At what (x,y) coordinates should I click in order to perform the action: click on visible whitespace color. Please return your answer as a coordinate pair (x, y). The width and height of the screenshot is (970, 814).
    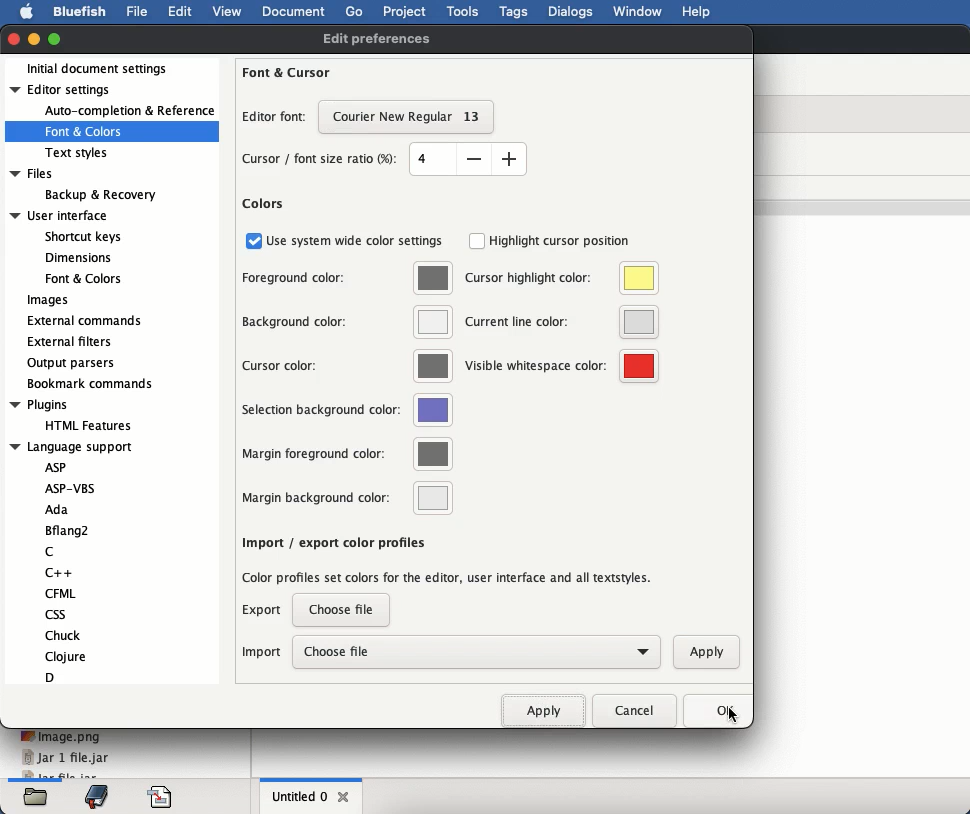
    Looking at the image, I should click on (560, 365).